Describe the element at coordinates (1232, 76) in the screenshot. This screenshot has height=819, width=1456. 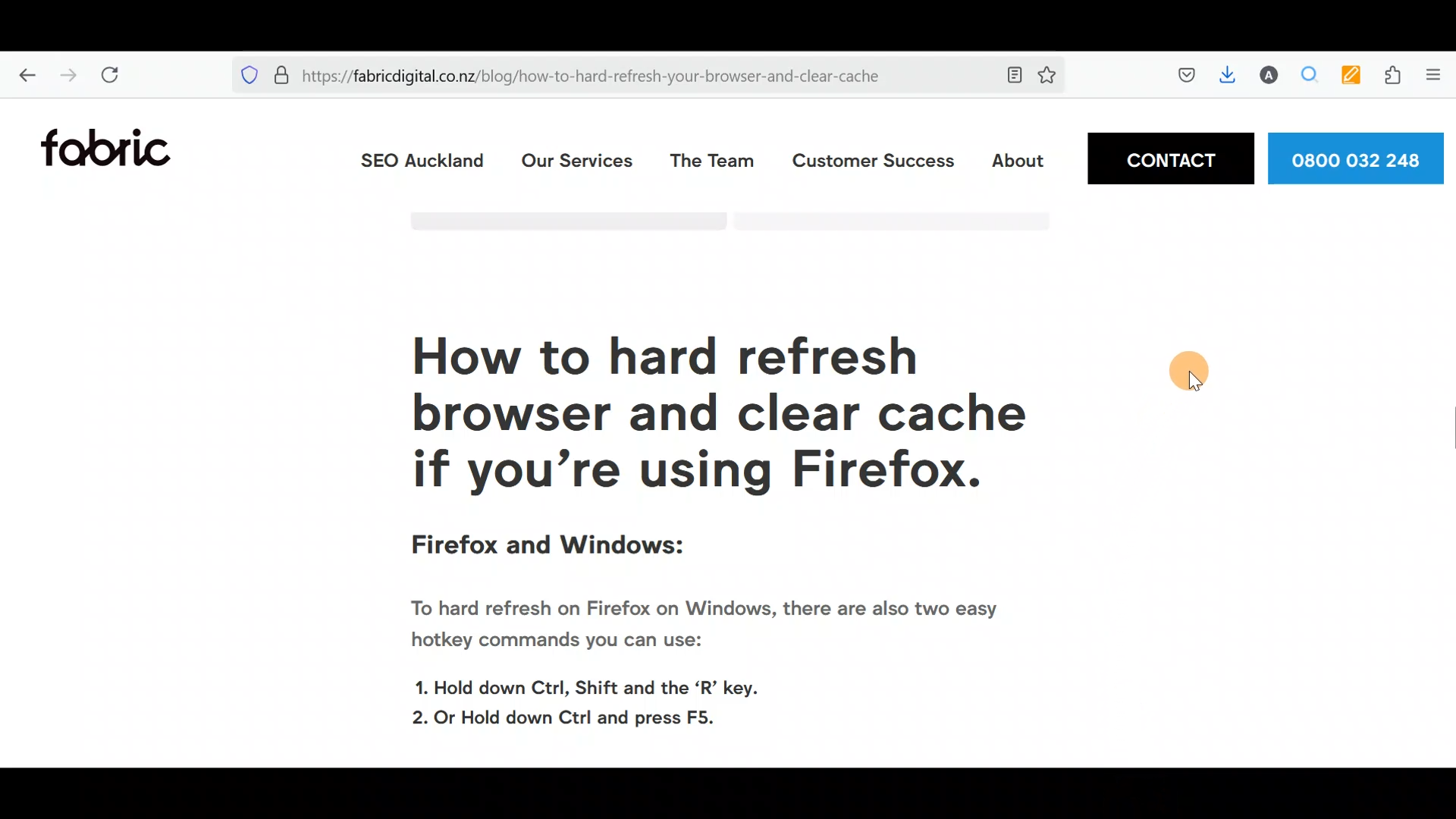
I see `Downloads` at that location.